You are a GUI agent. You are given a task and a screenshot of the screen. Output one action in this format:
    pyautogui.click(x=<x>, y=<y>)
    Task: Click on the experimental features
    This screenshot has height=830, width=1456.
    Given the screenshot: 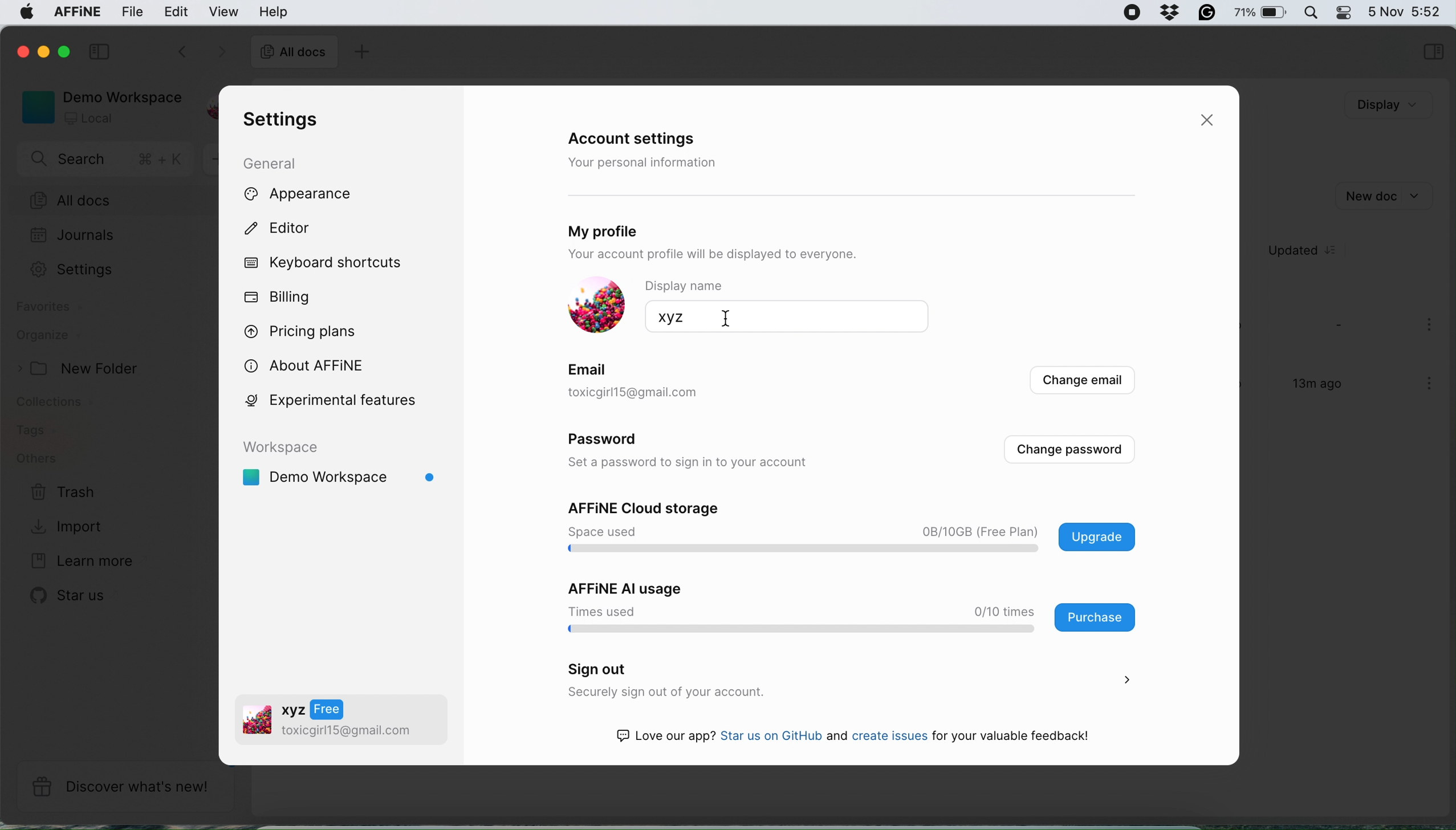 What is the action you would take?
    pyautogui.click(x=345, y=400)
    